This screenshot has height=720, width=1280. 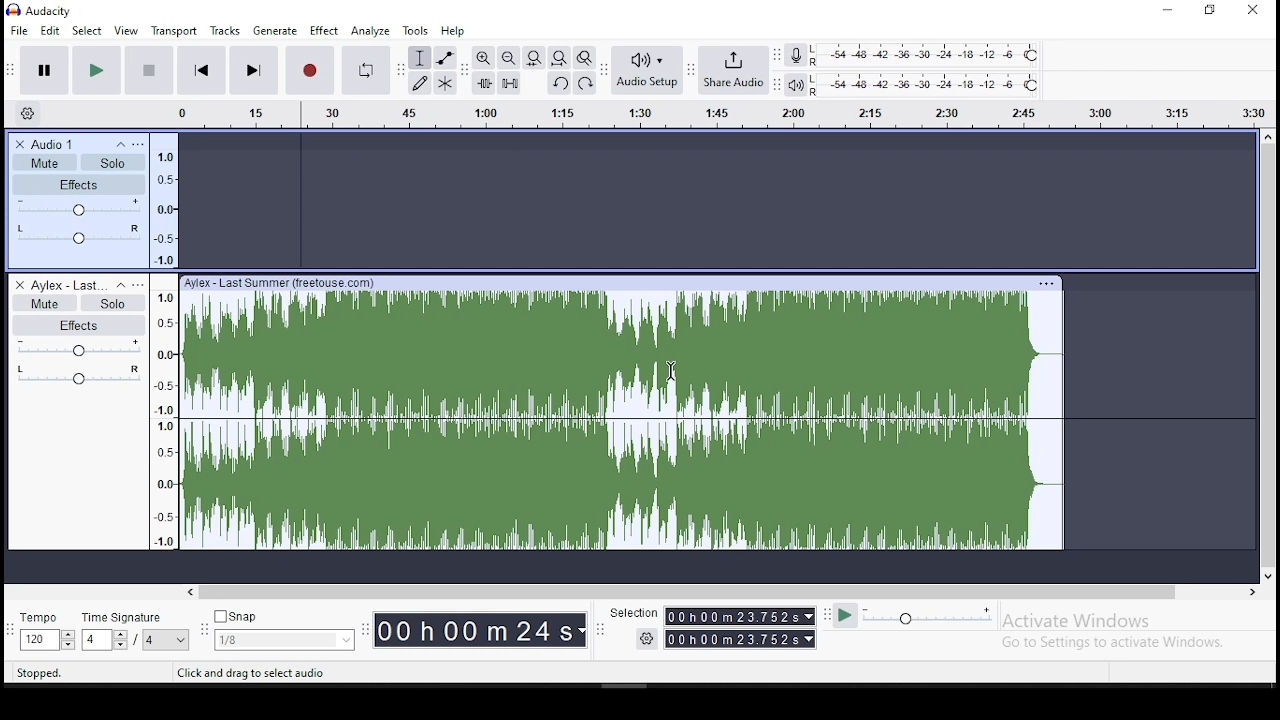 What do you see at coordinates (96, 70) in the screenshot?
I see `pause` at bounding box center [96, 70].